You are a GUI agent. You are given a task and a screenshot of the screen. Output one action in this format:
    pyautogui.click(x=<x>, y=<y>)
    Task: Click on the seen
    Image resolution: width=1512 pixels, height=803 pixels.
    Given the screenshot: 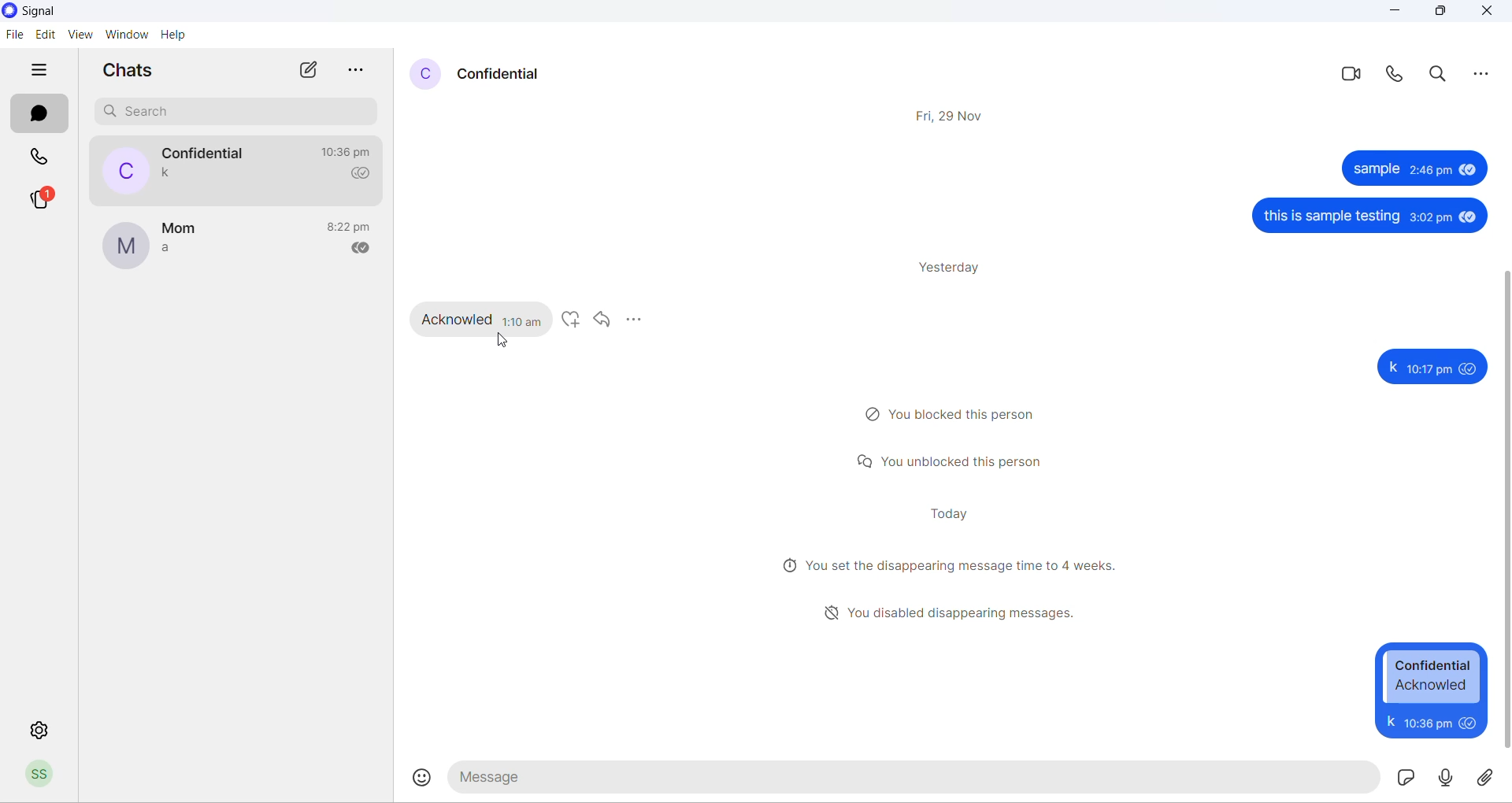 What is the action you would take?
    pyautogui.click(x=1468, y=722)
    